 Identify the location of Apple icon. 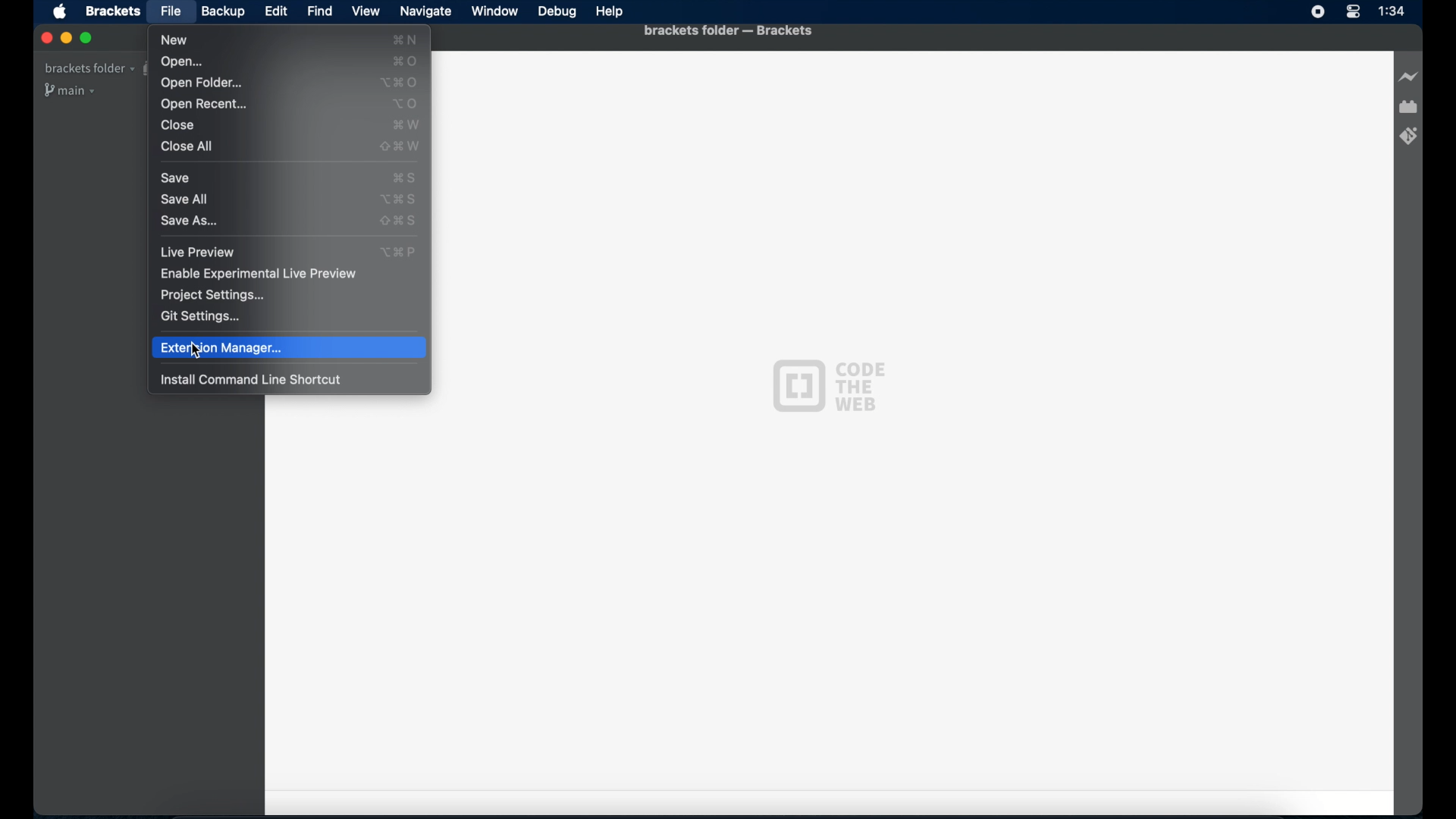
(61, 13).